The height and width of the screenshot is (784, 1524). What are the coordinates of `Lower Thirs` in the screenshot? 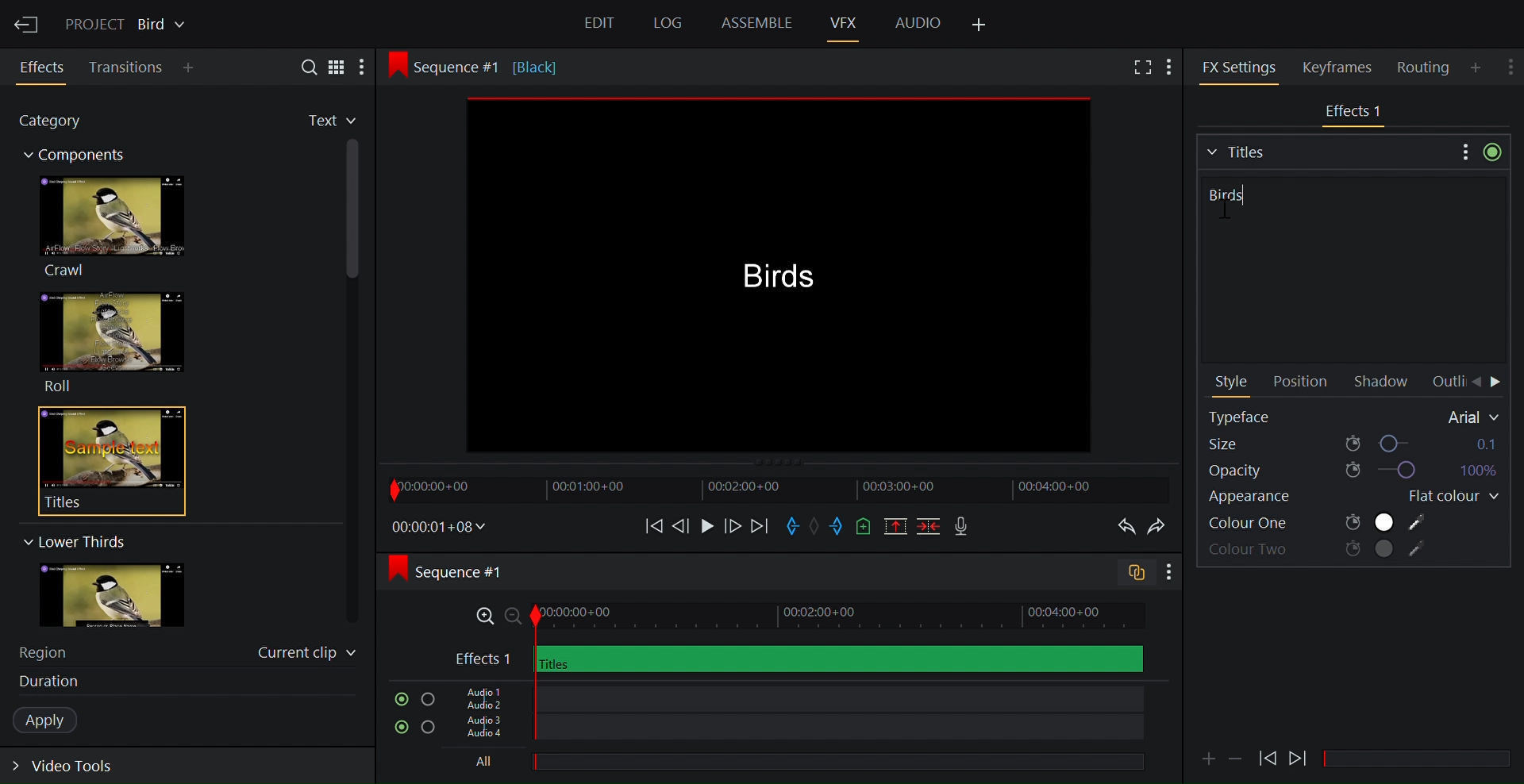 It's located at (73, 541).